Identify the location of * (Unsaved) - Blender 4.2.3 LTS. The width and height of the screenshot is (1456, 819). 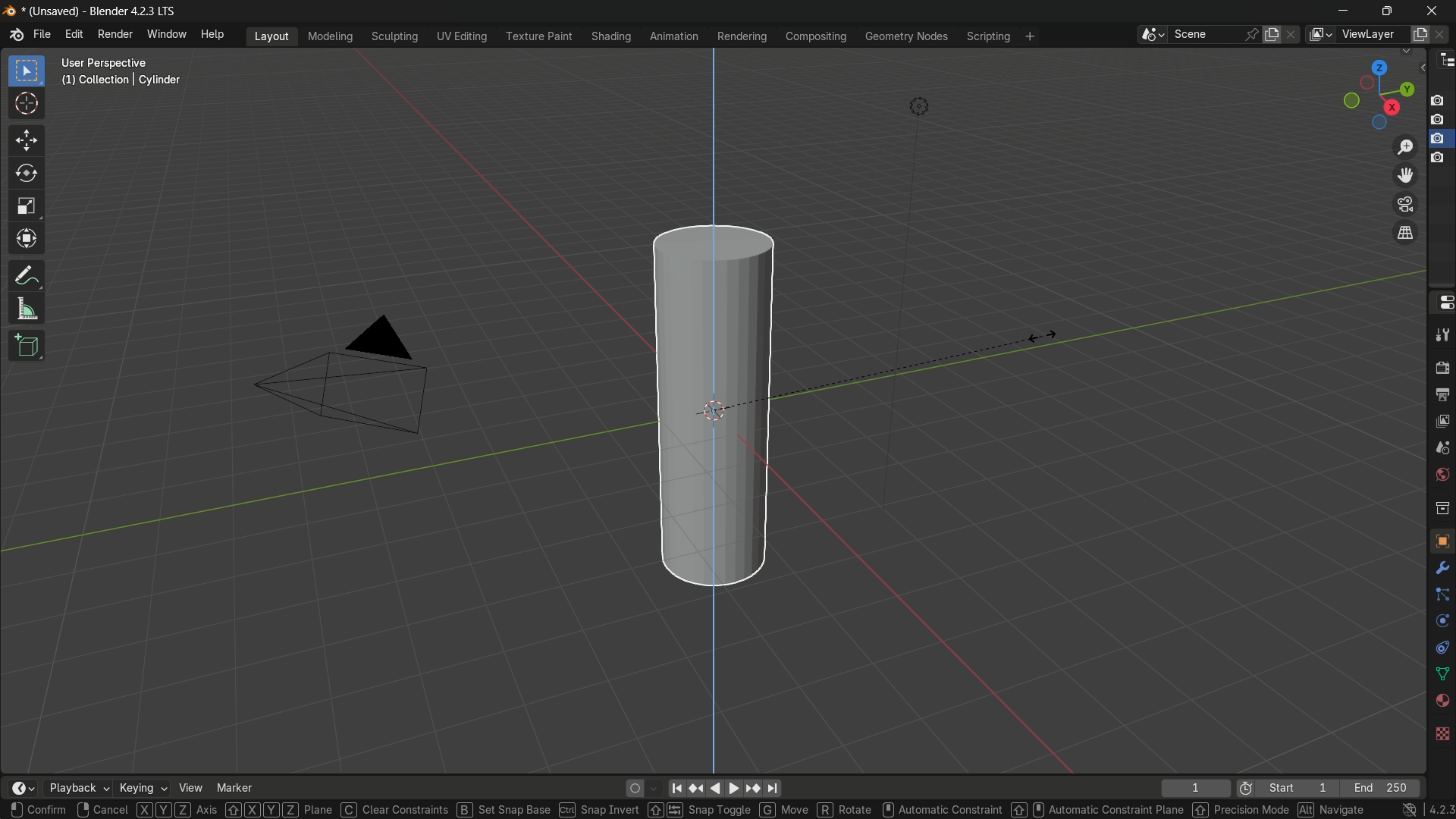
(103, 11).